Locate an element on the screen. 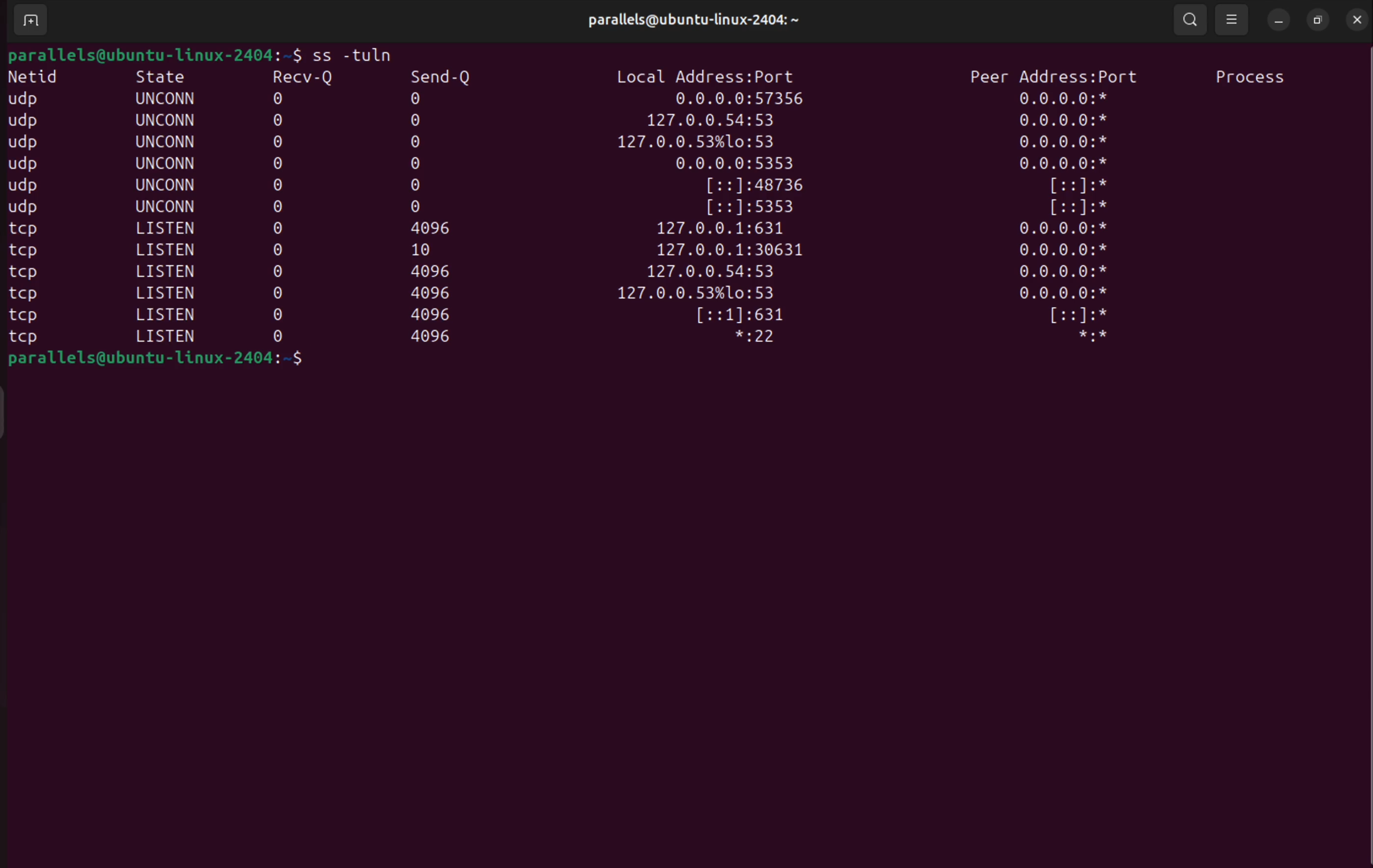  tcp is located at coordinates (32, 296).